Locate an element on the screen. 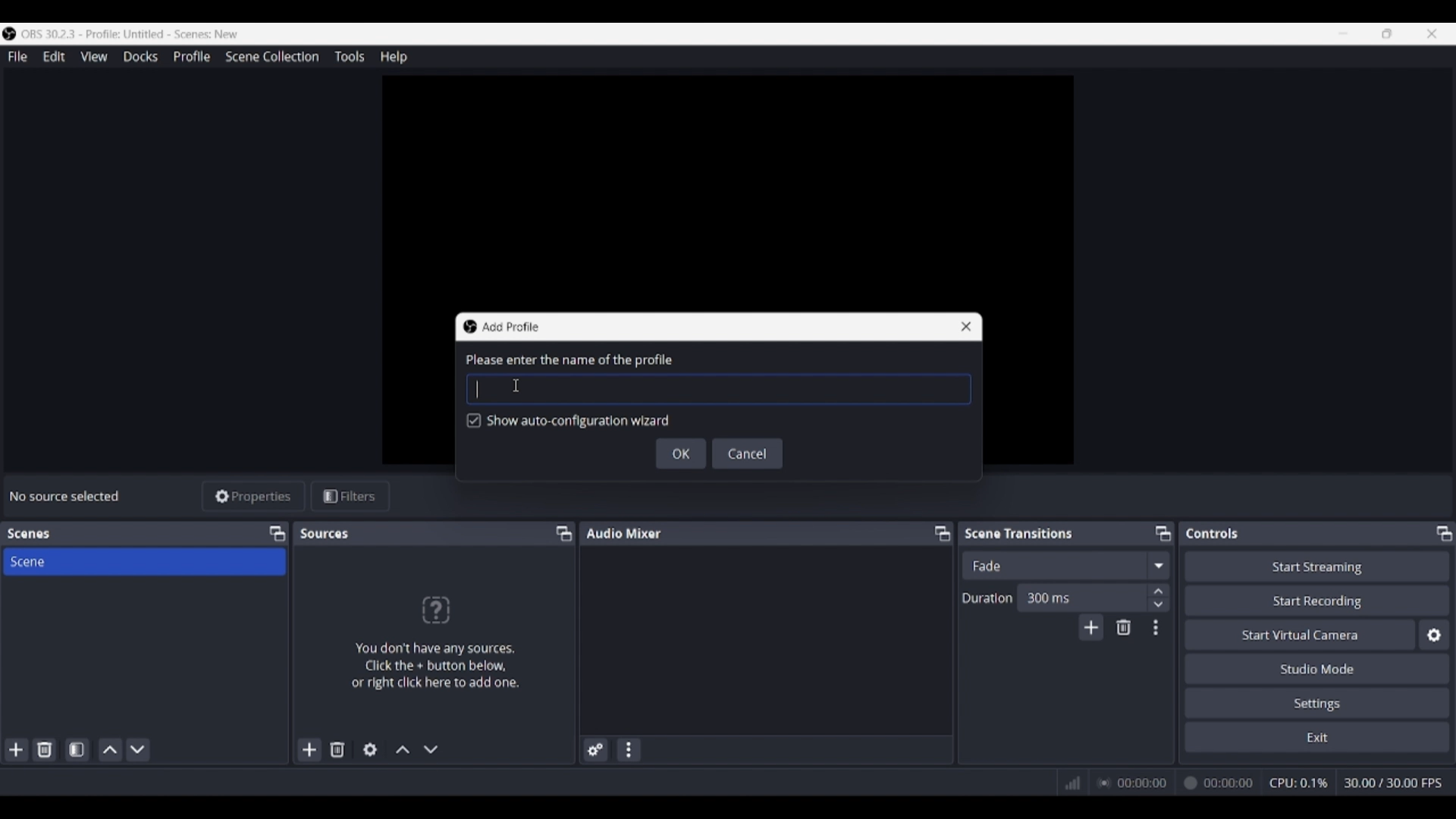 The height and width of the screenshot is (819, 1456). Properties is located at coordinates (254, 497).